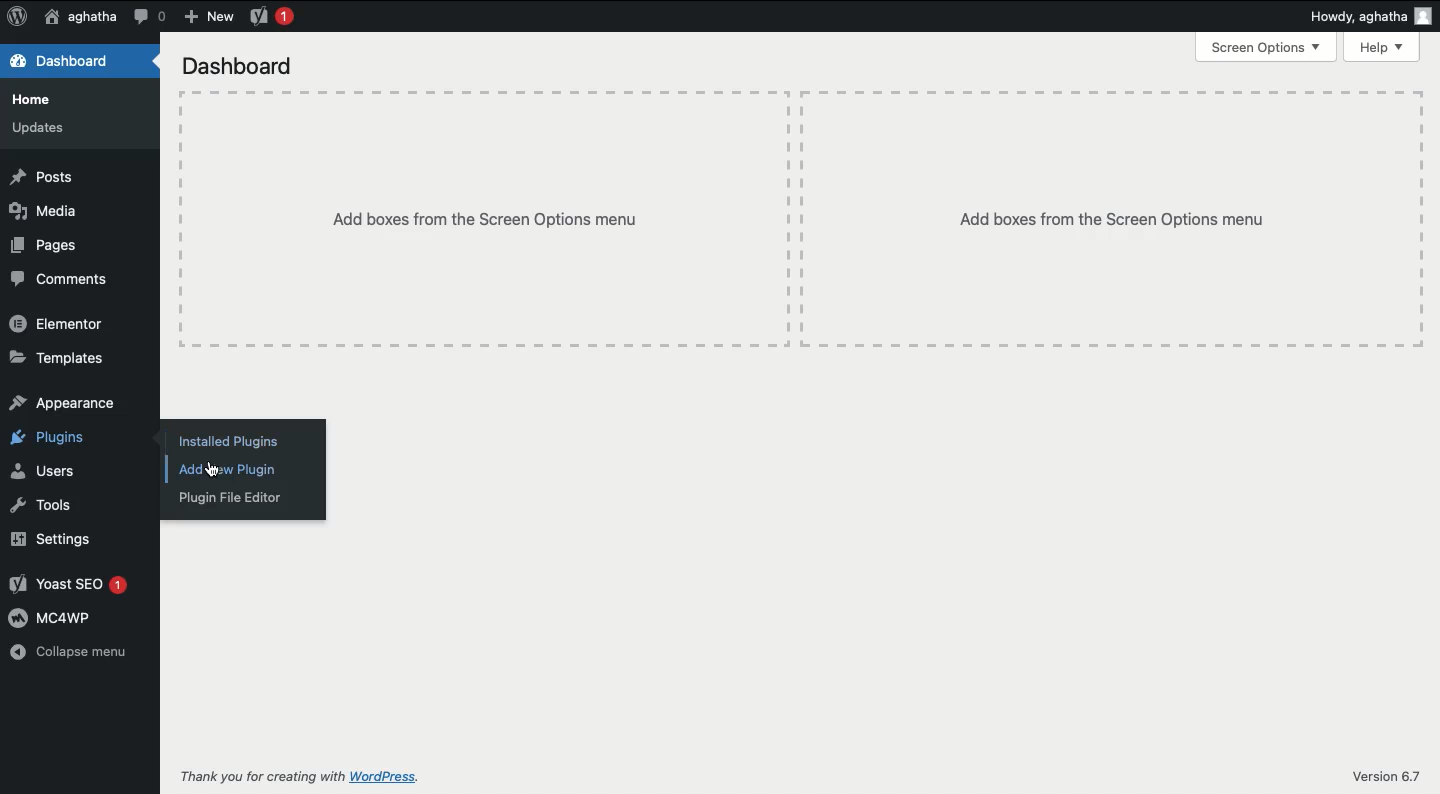  What do you see at coordinates (1391, 772) in the screenshot?
I see `Version 6.7` at bounding box center [1391, 772].